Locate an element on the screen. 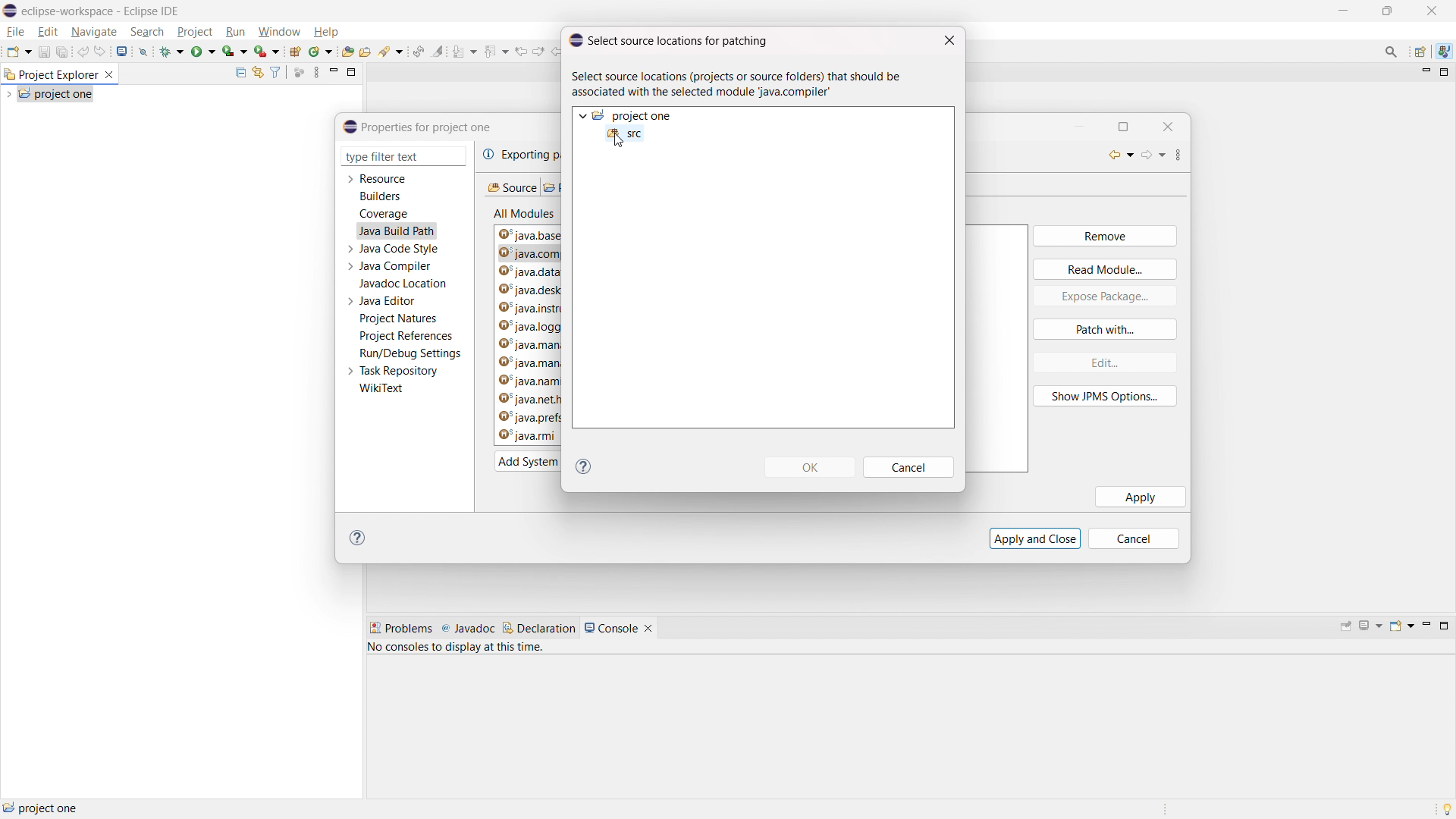 The image size is (1456, 819). search is located at coordinates (148, 31).